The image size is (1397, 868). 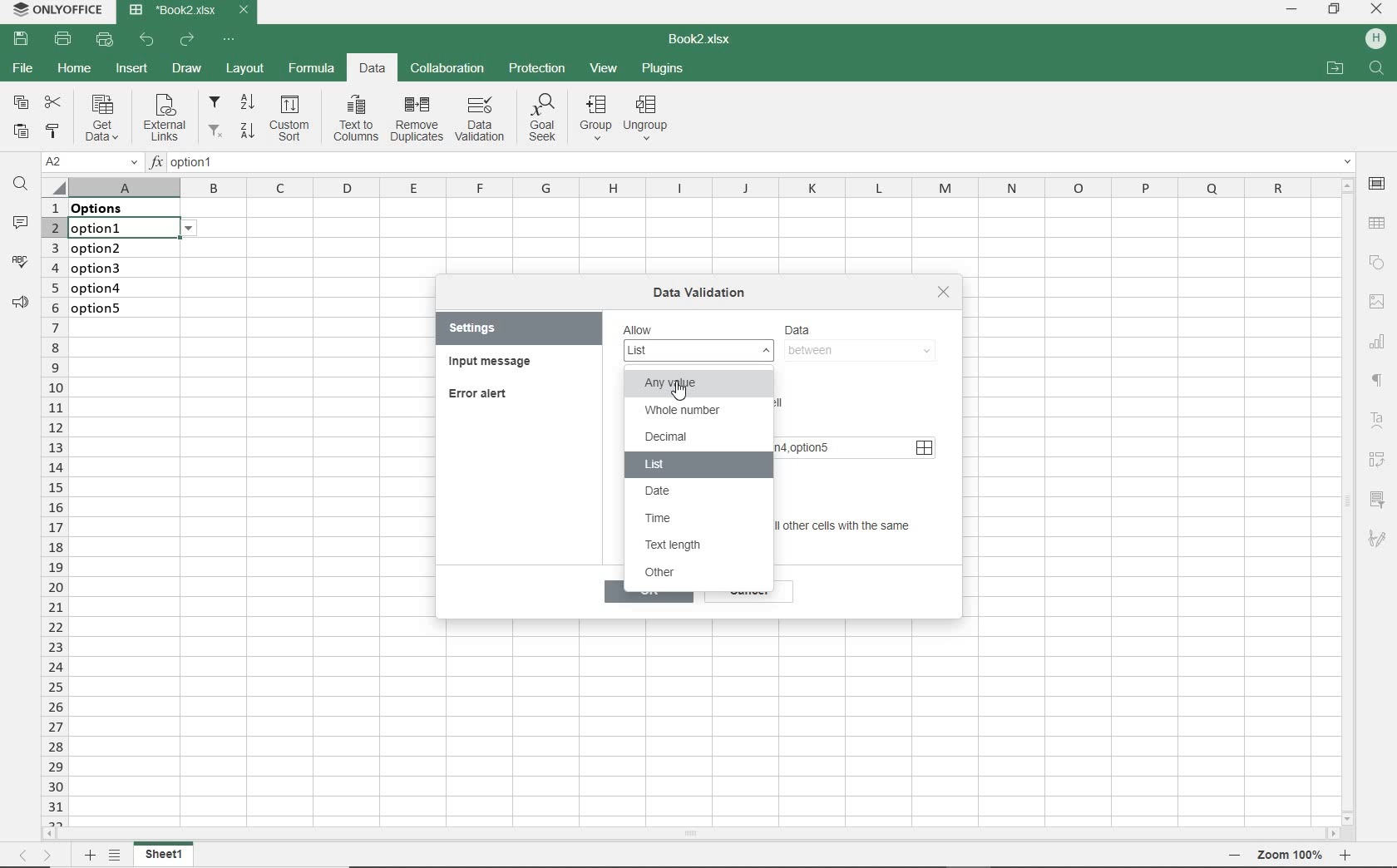 What do you see at coordinates (54, 185) in the screenshot?
I see `Select all` at bounding box center [54, 185].